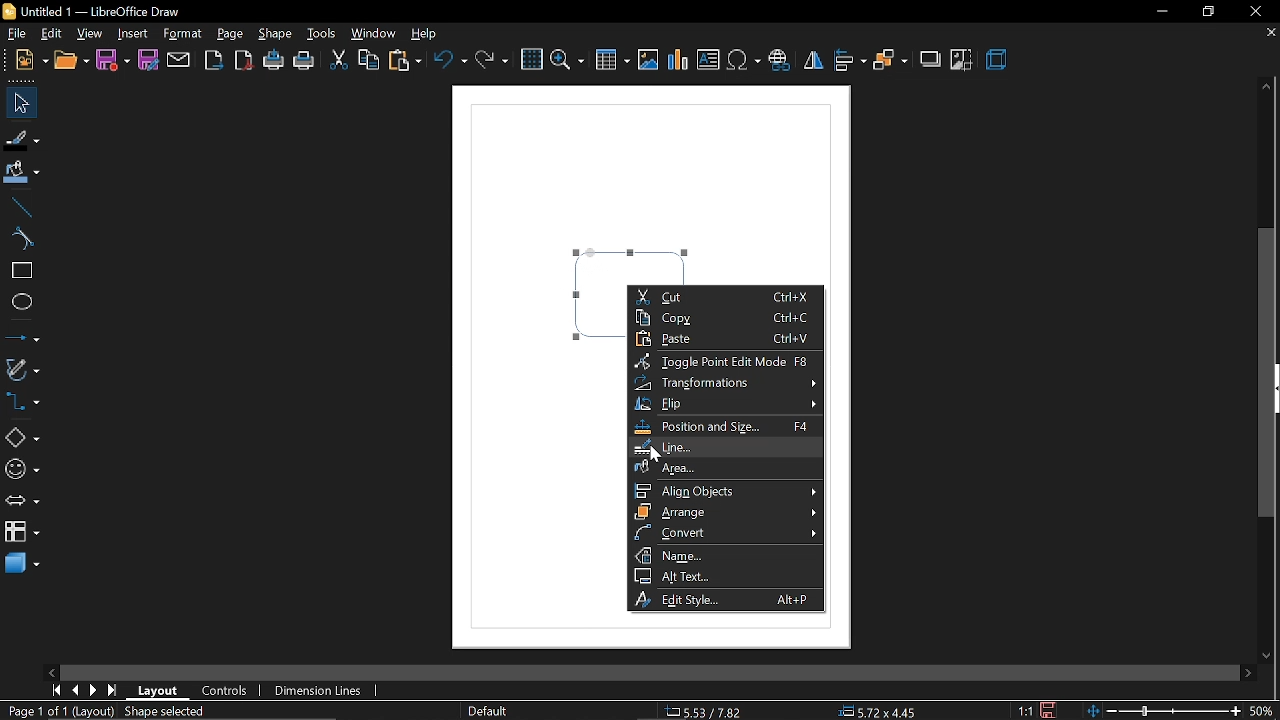 The width and height of the screenshot is (1280, 720). I want to click on change zoom, so click(1163, 712).